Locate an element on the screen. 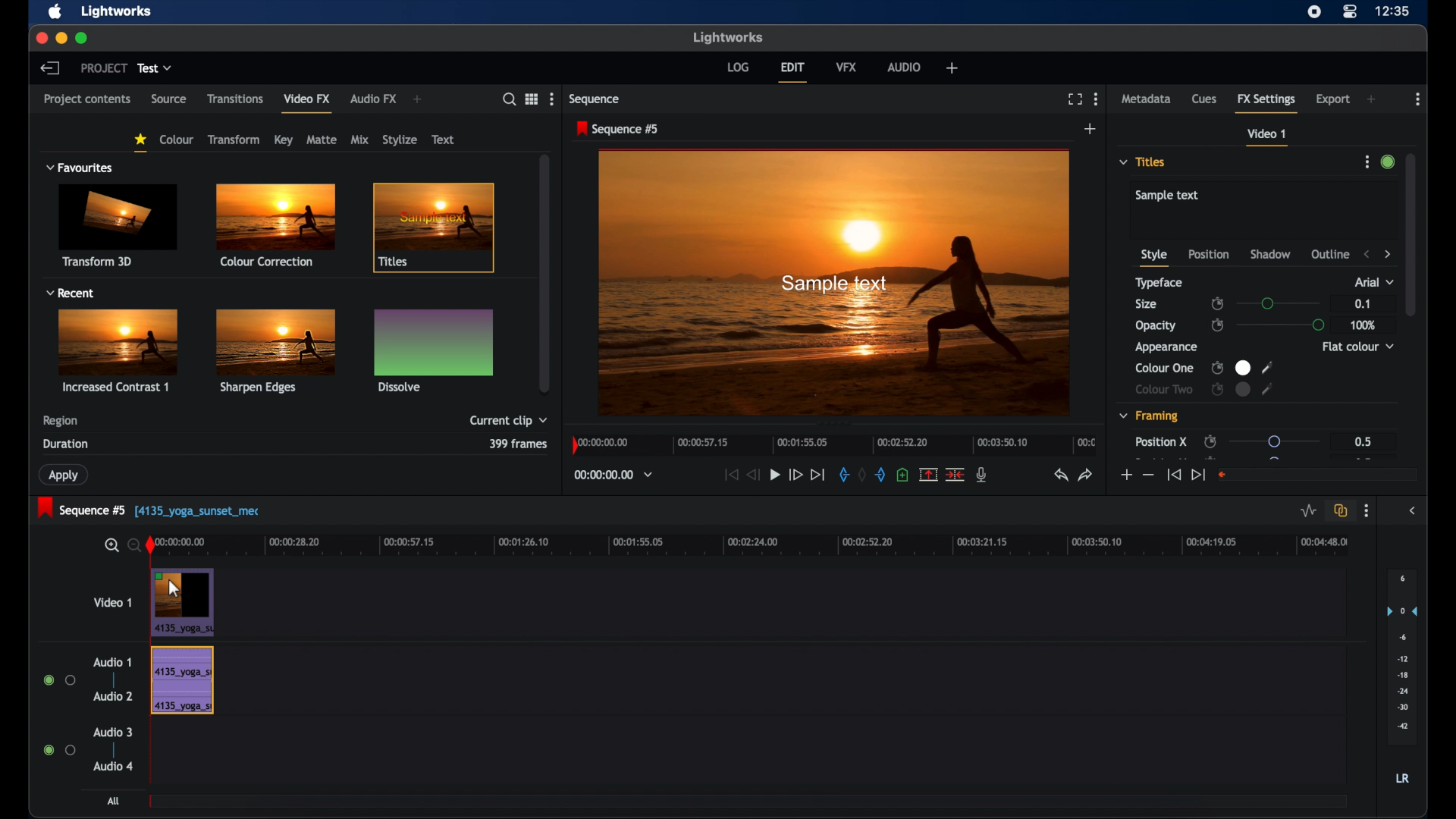 The image size is (1456, 819). color one is located at coordinates (1165, 368).